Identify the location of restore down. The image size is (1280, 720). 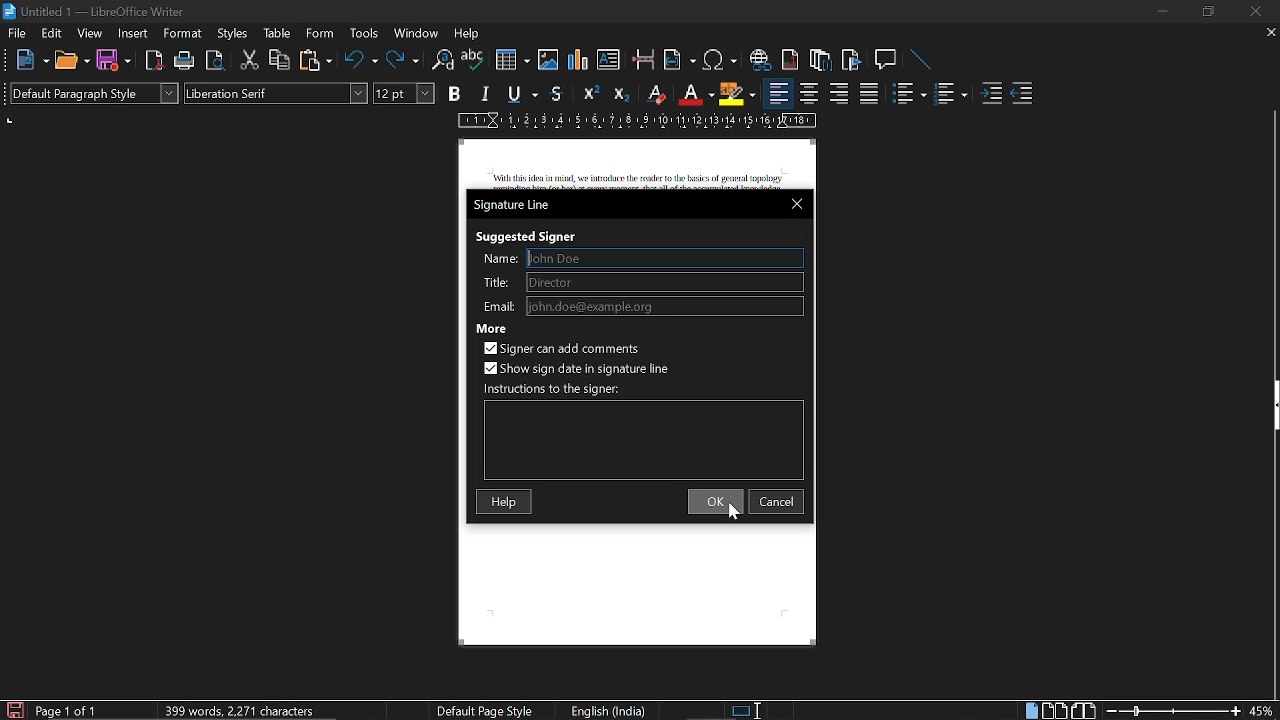
(1208, 12).